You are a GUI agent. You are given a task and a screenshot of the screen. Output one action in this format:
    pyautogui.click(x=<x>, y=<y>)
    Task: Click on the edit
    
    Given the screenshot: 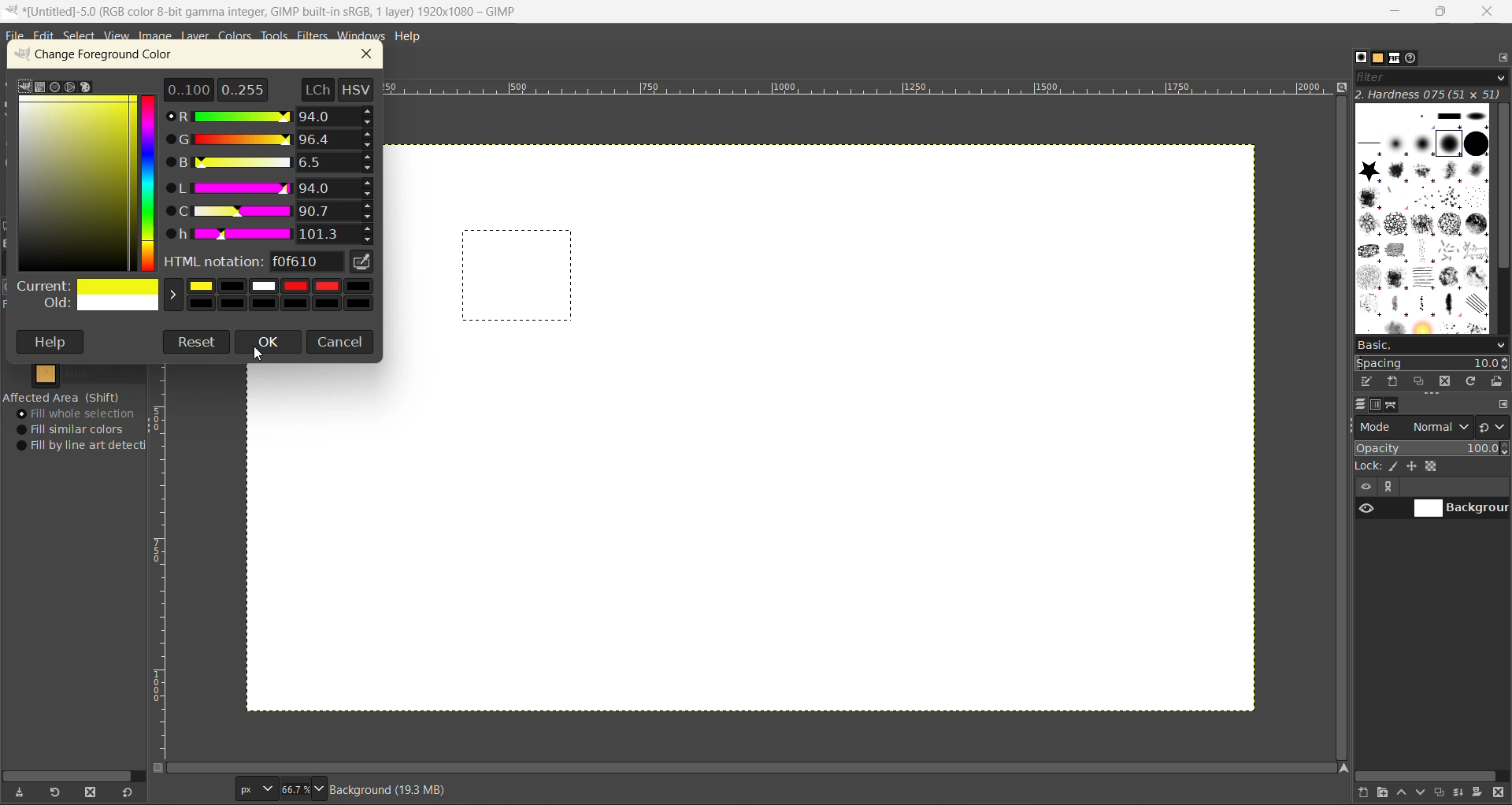 What is the action you would take?
    pyautogui.click(x=46, y=37)
    